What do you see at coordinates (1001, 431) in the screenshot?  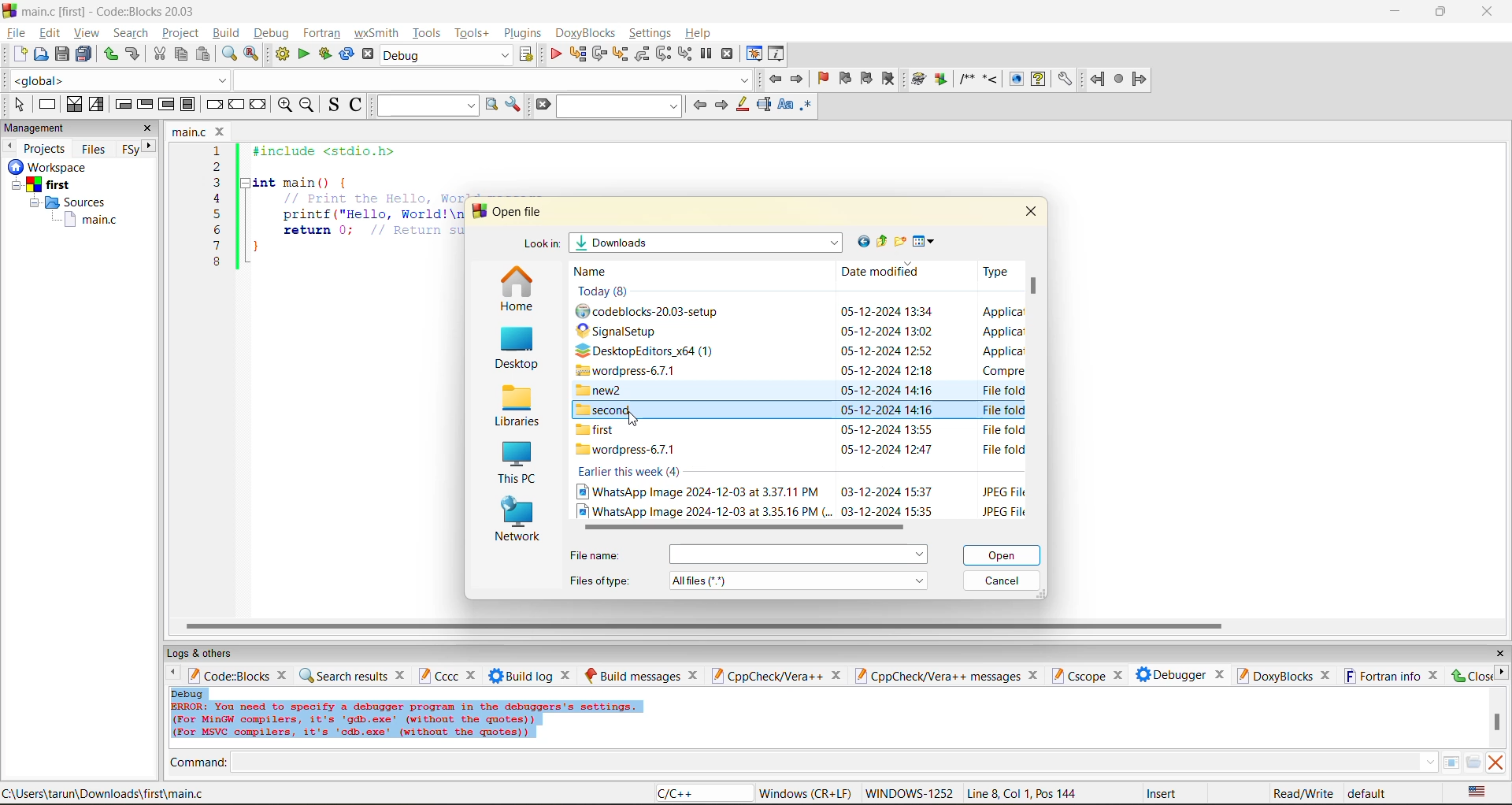 I see `type` at bounding box center [1001, 431].